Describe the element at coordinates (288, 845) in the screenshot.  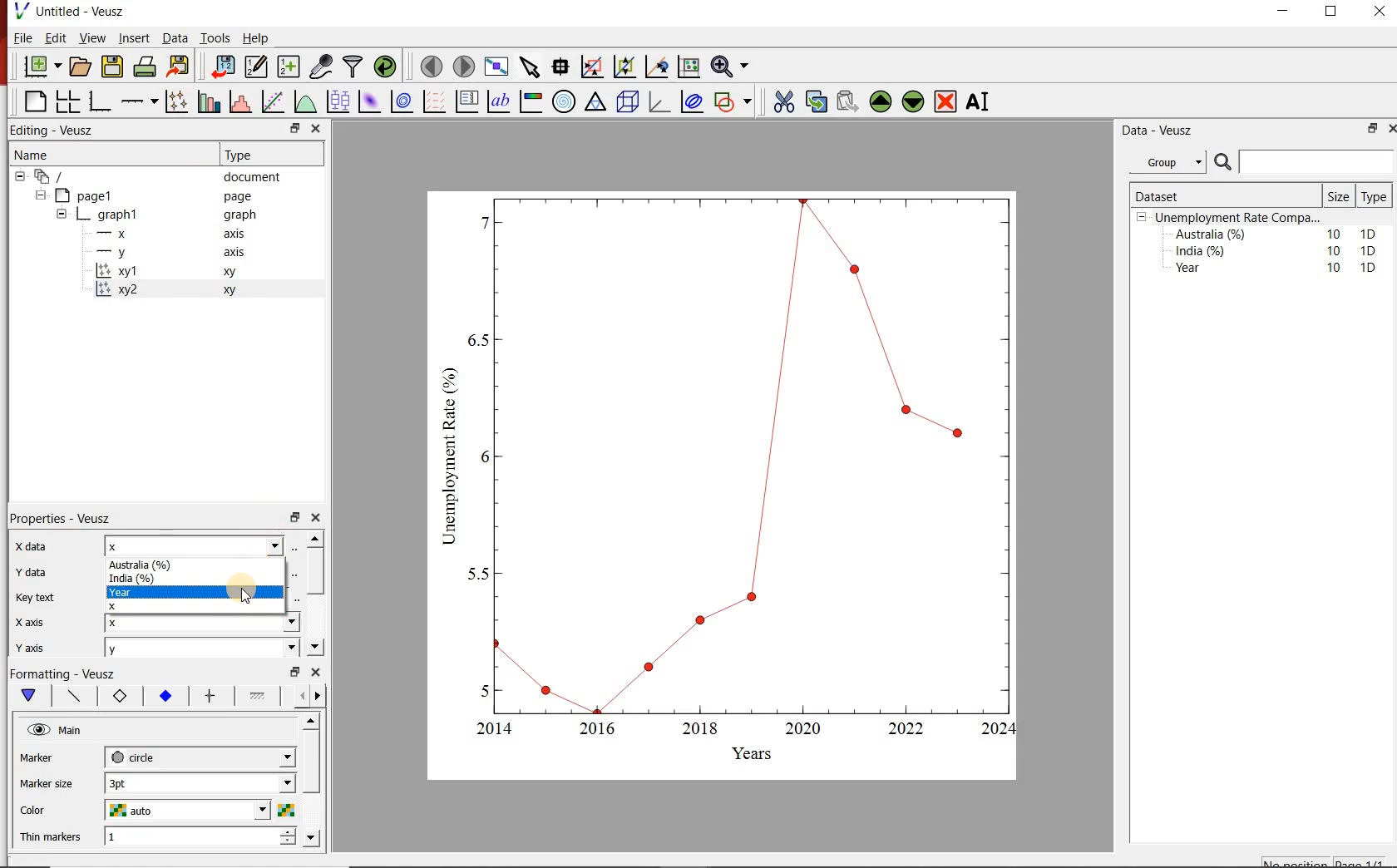
I see `decrease` at that location.